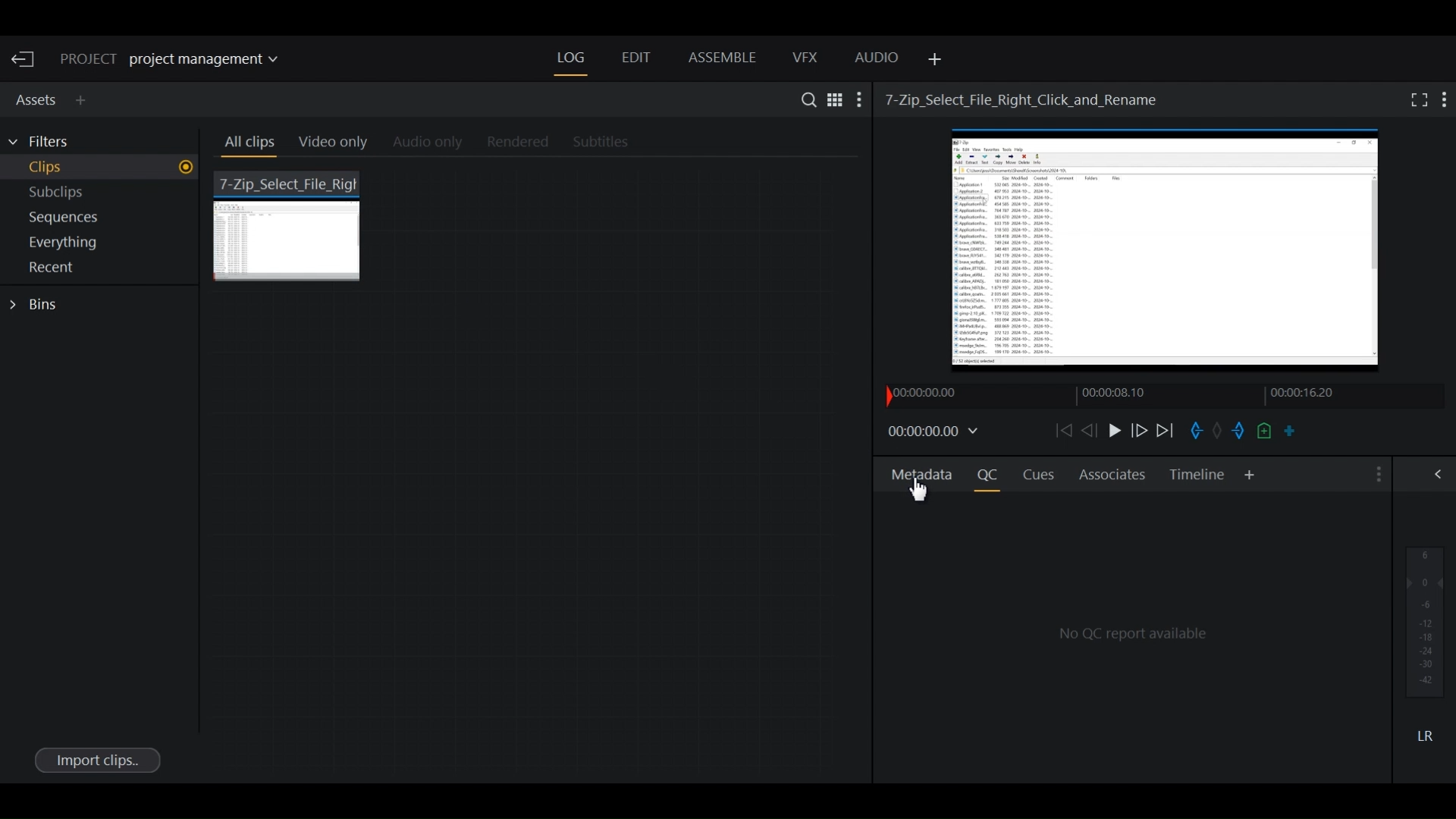 The image size is (1456, 819). I want to click on Play, so click(1113, 430).